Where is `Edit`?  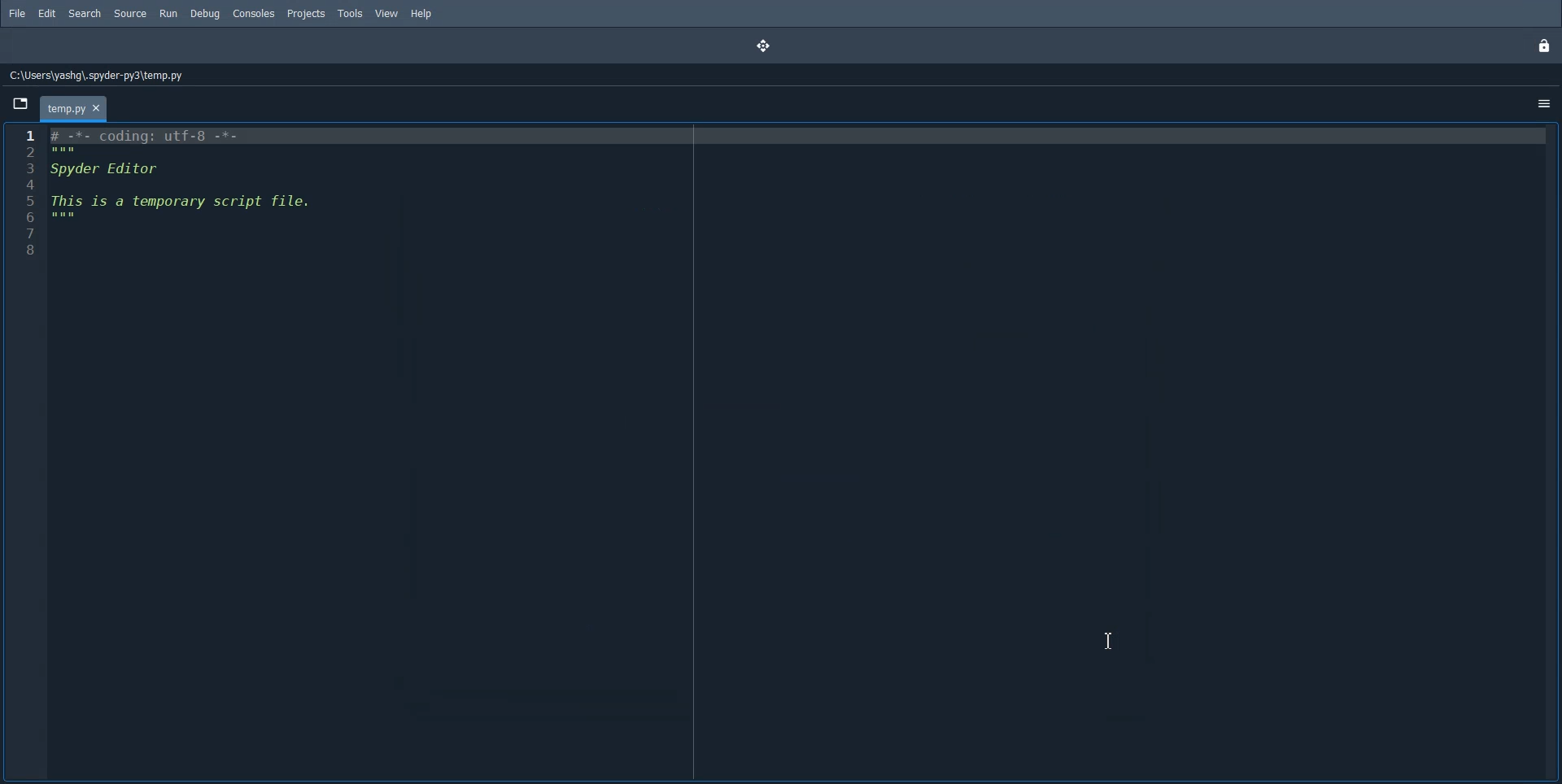 Edit is located at coordinates (46, 14).